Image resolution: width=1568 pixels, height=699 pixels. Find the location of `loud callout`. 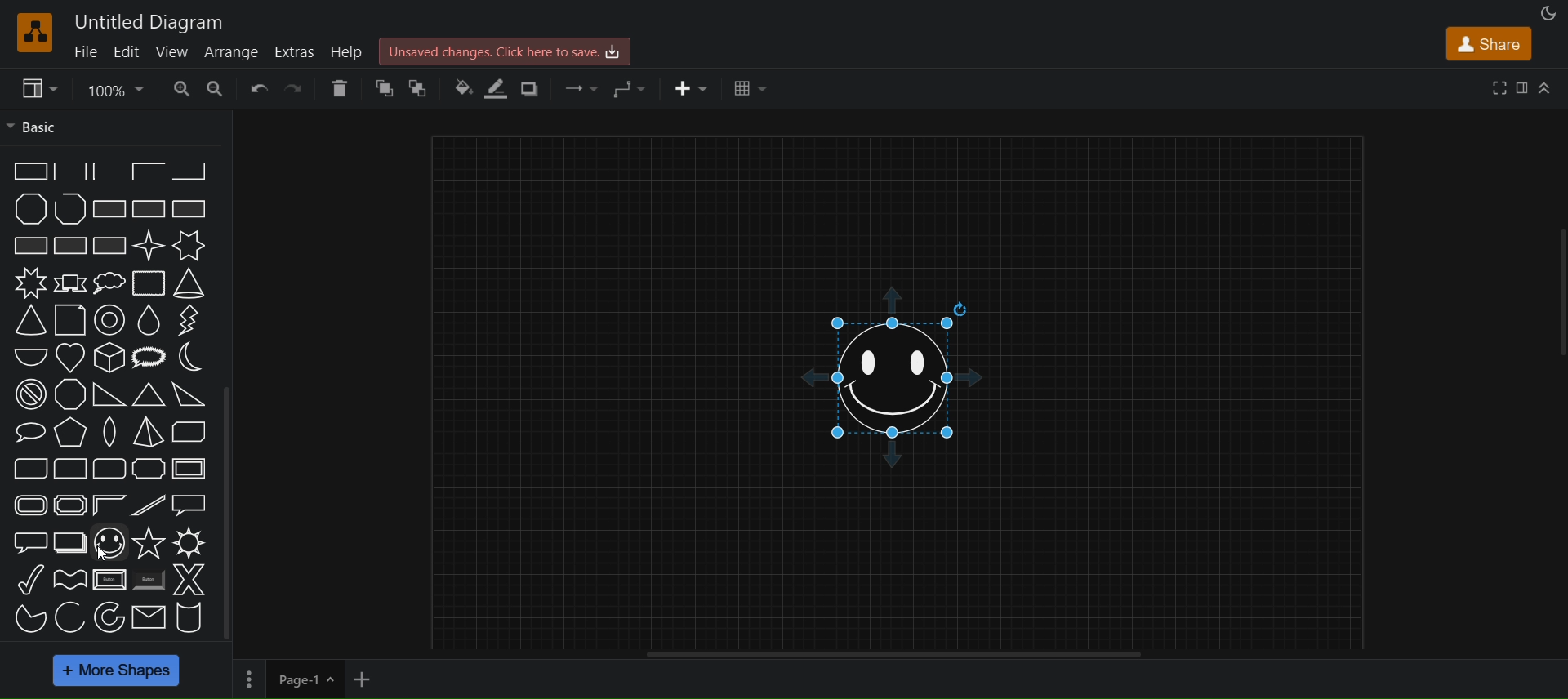

loud callout is located at coordinates (149, 359).